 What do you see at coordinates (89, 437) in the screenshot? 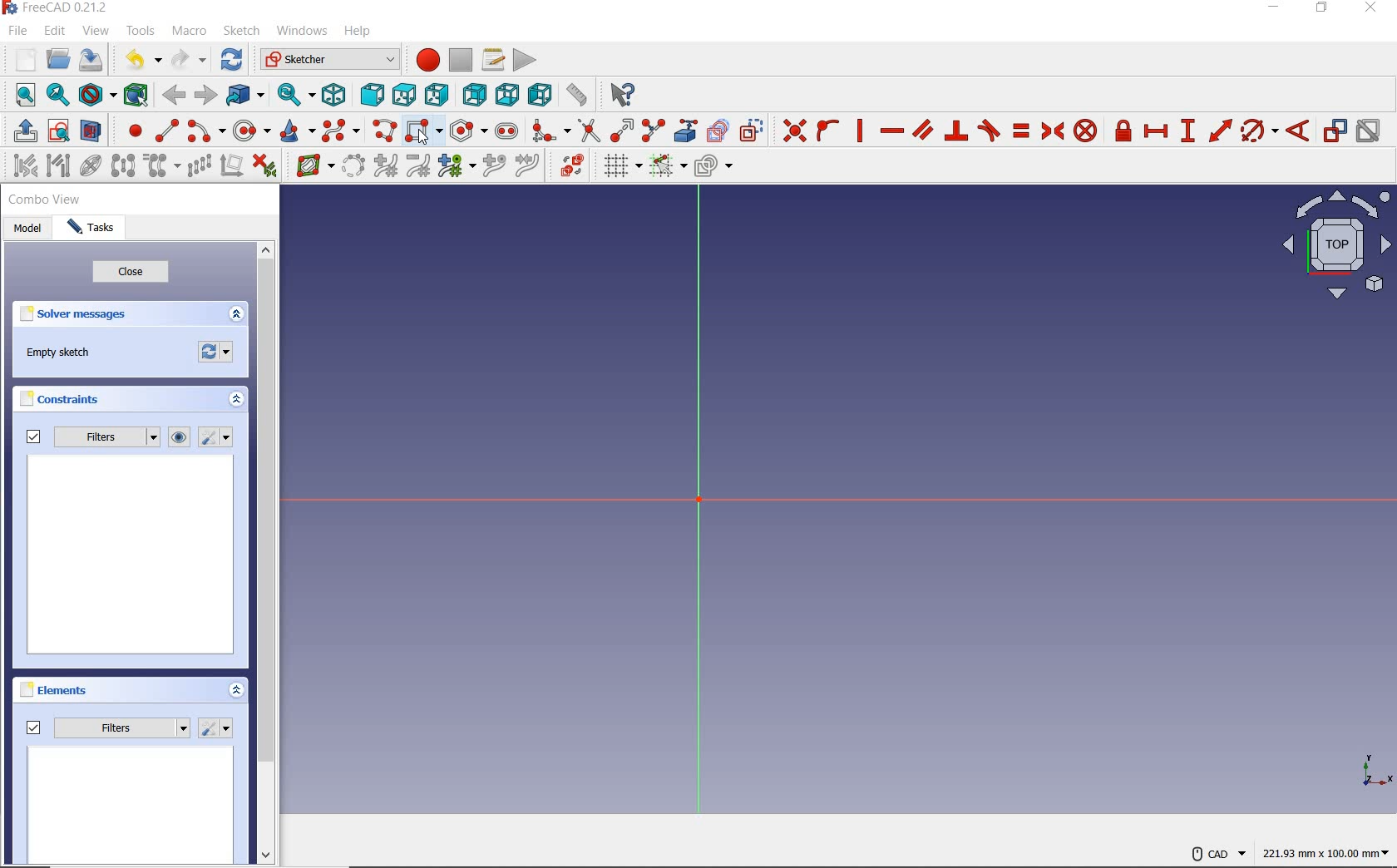
I see `filters` at bounding box center [89, 437].